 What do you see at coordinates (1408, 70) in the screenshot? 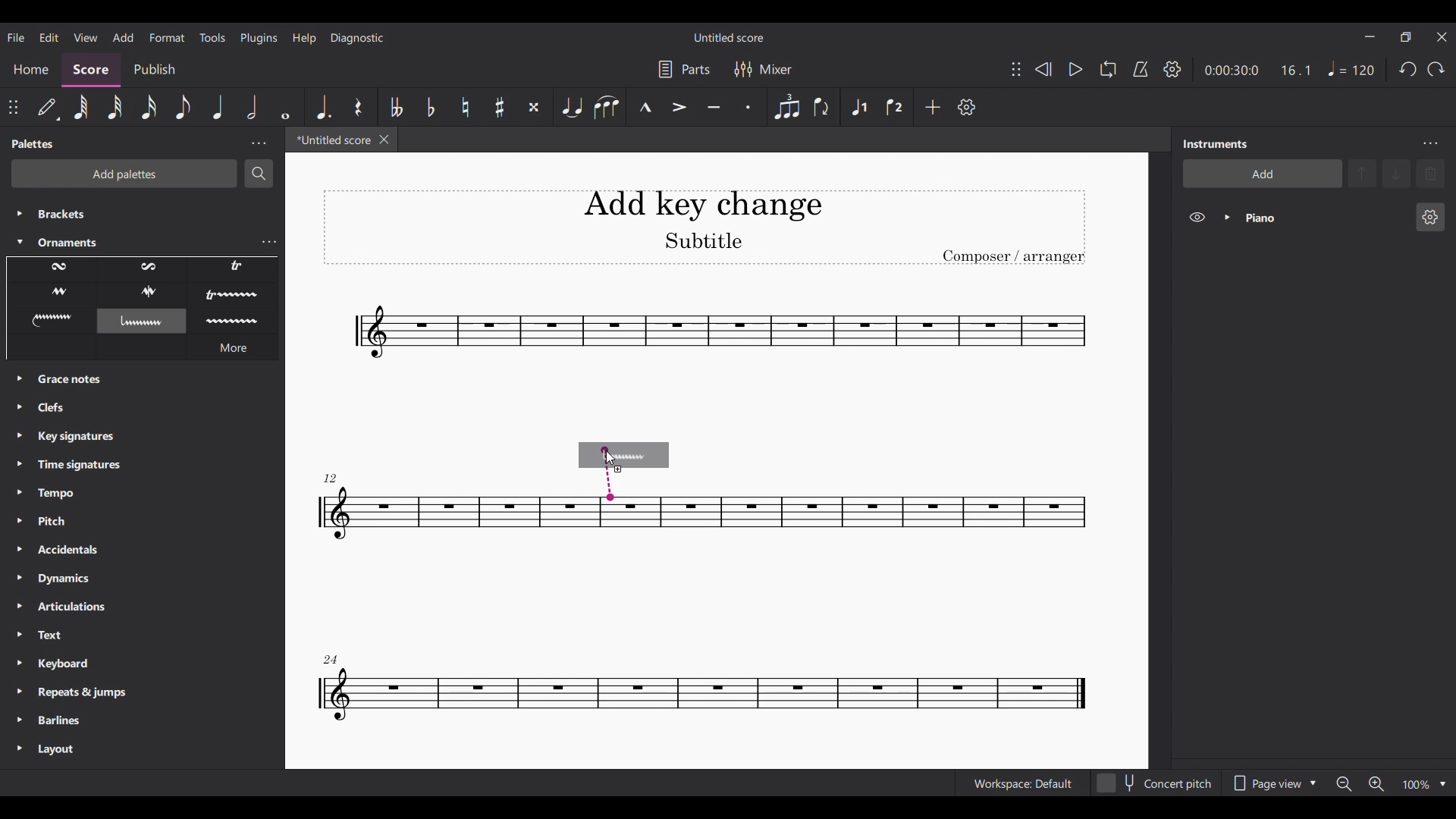
I see `Undo` at bounding box center [1408, 70].